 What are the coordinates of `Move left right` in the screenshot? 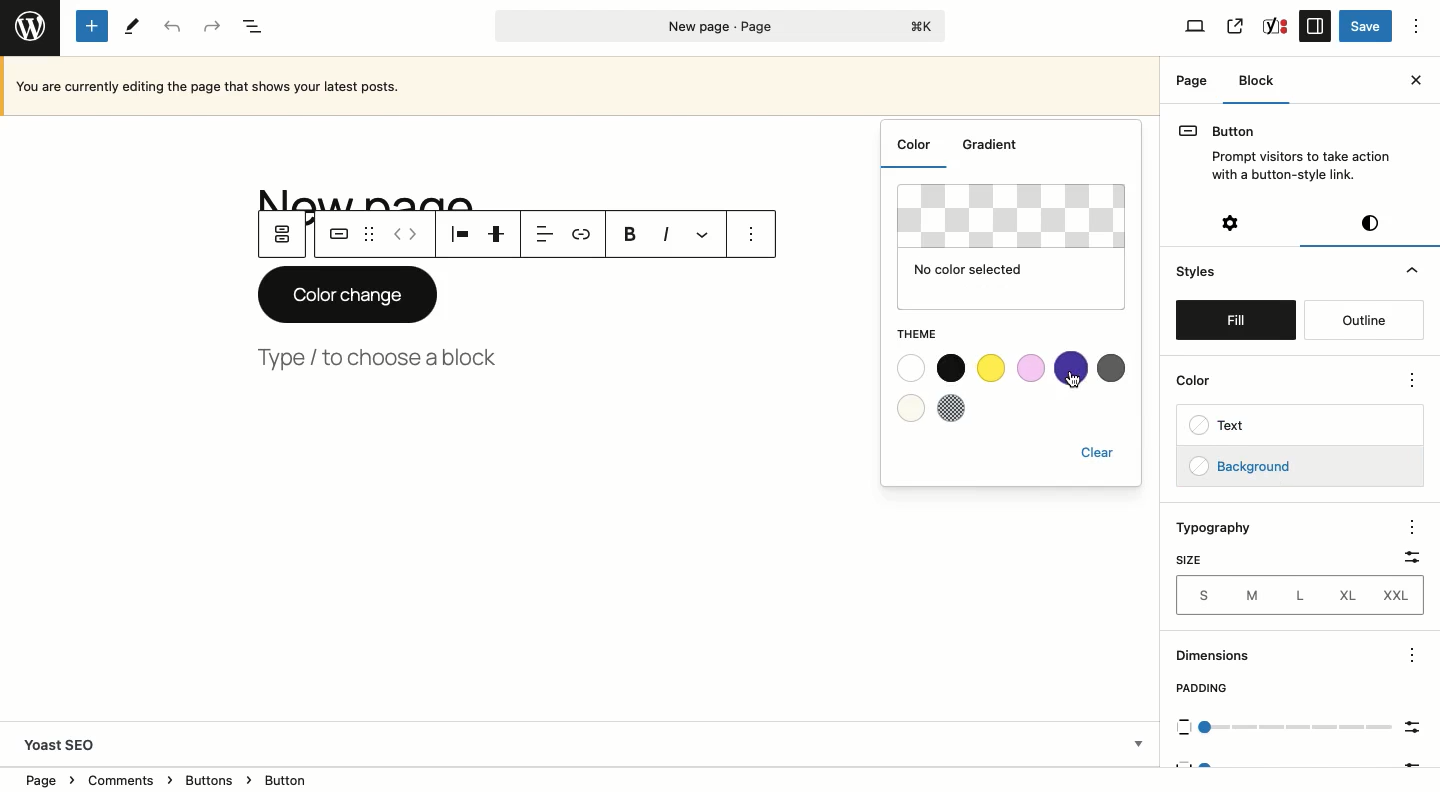 It's located at (405, 235).